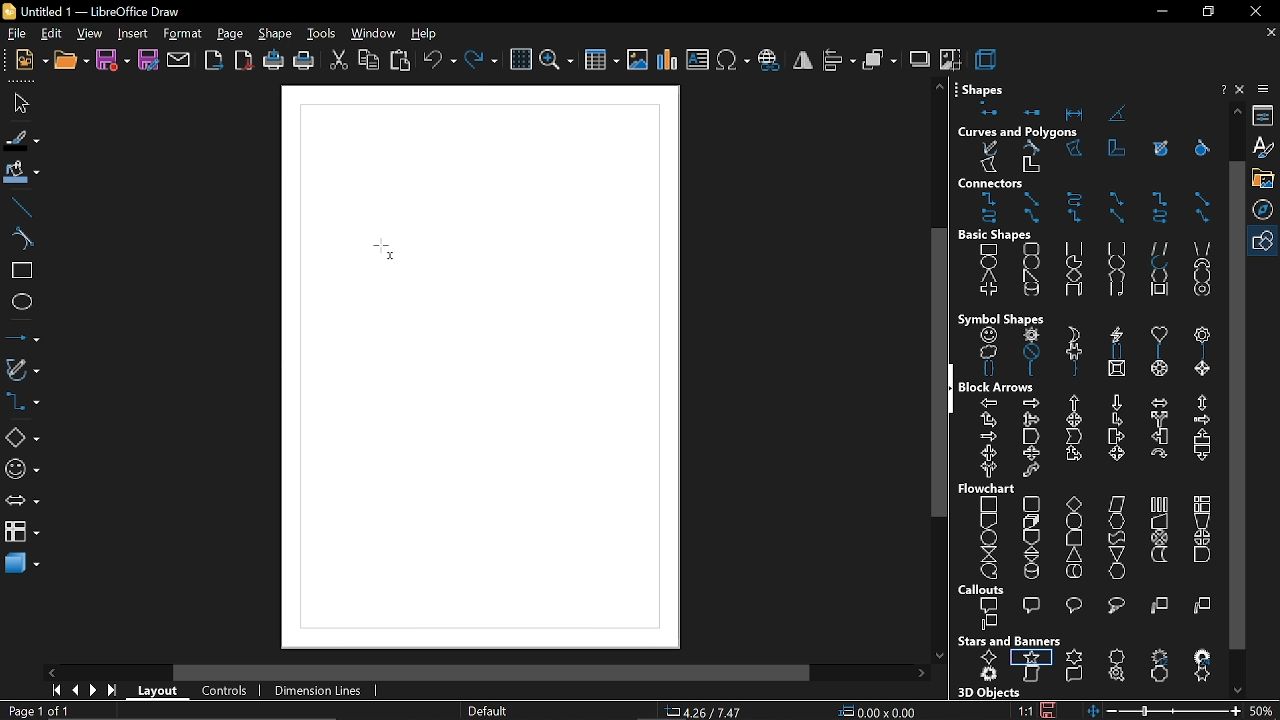 This screenshot has width=1280, height=720. What do you see at coordinates (54, 690) in the screenshot?
I see `go to first page` at bounding box center [54, 690].